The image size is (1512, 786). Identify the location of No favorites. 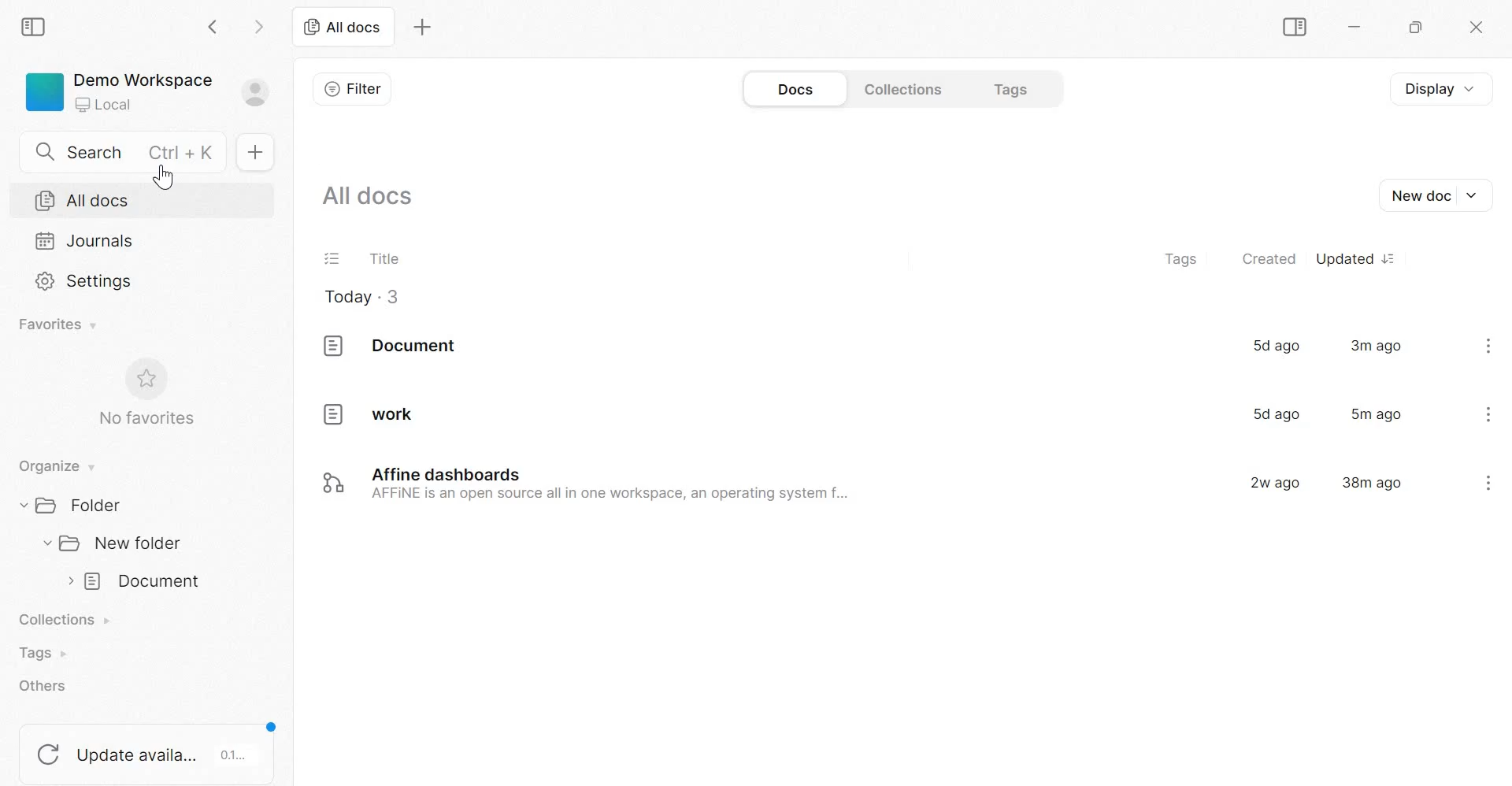
(144, 392).